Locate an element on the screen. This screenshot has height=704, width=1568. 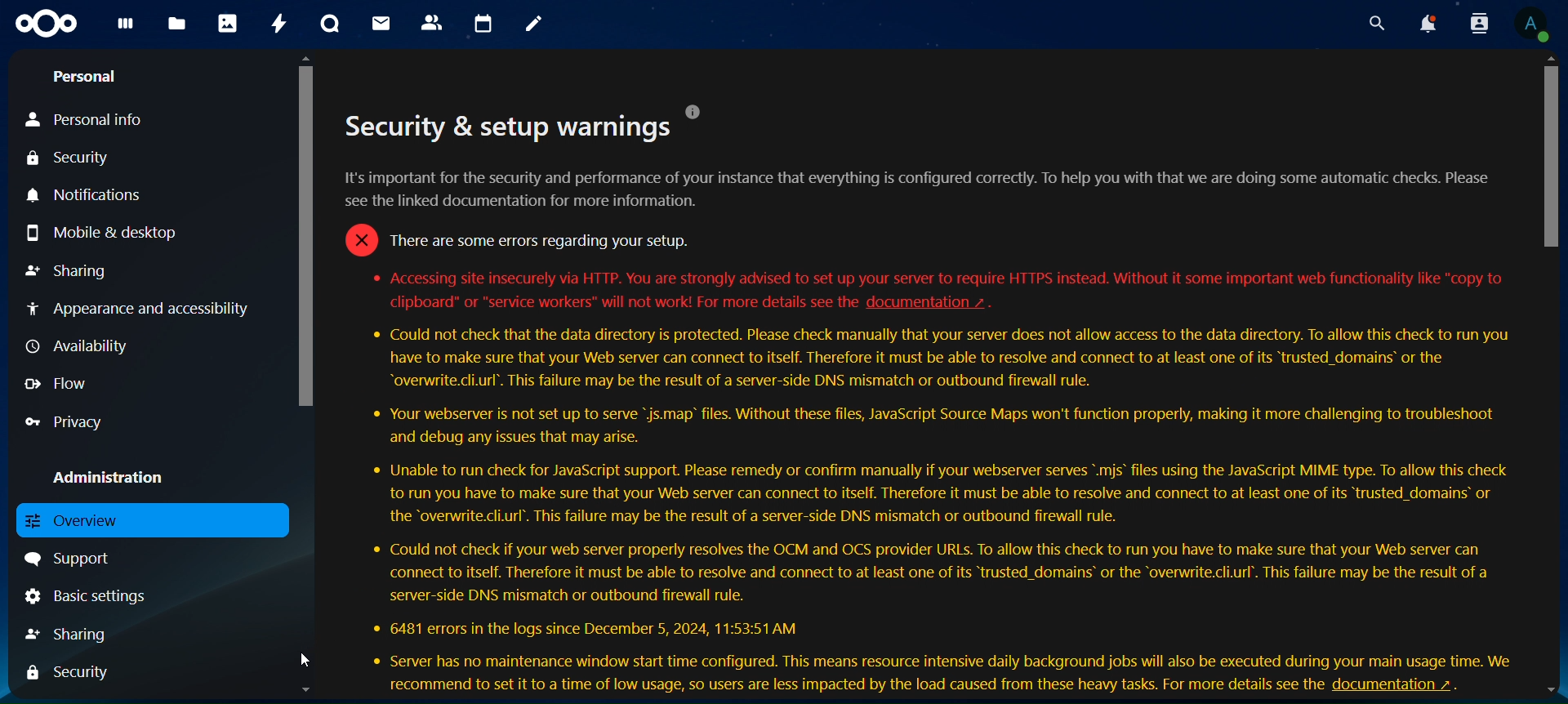
basic settings is located at coordinates (84, 599).